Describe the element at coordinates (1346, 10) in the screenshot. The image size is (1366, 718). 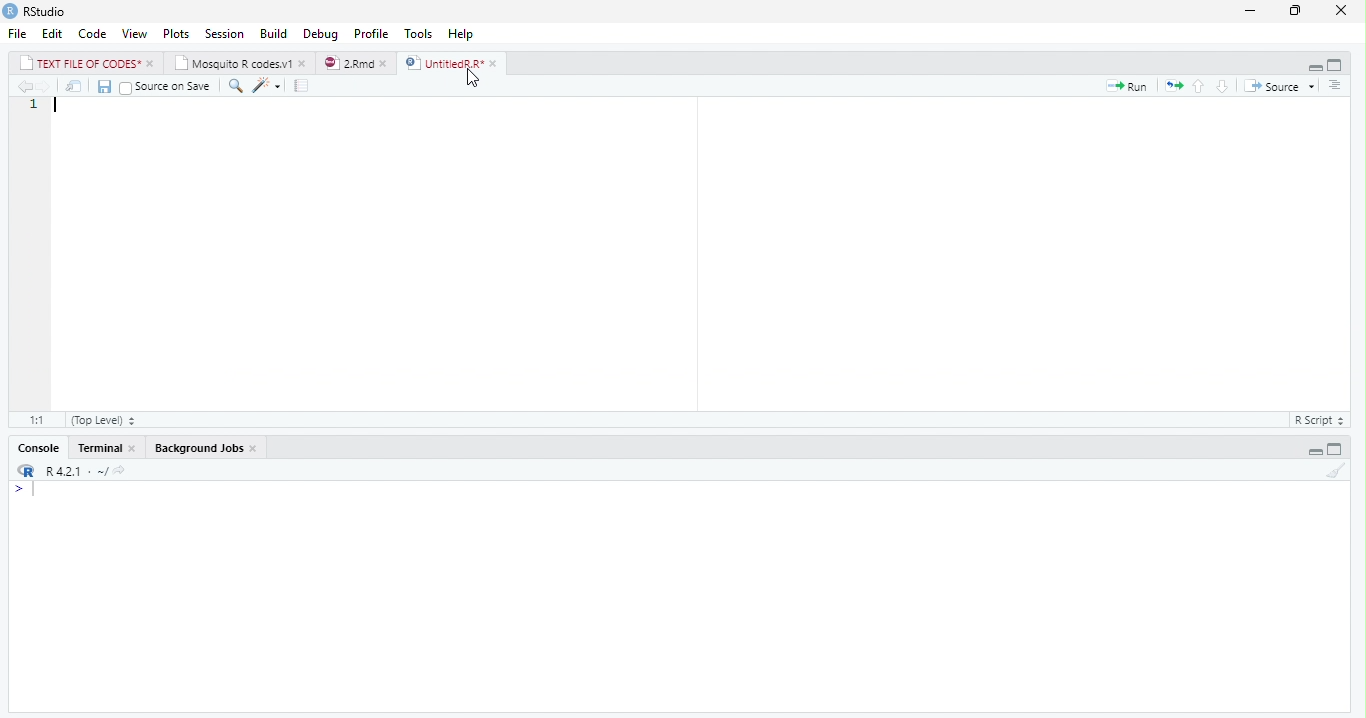
I see `close` at that location.